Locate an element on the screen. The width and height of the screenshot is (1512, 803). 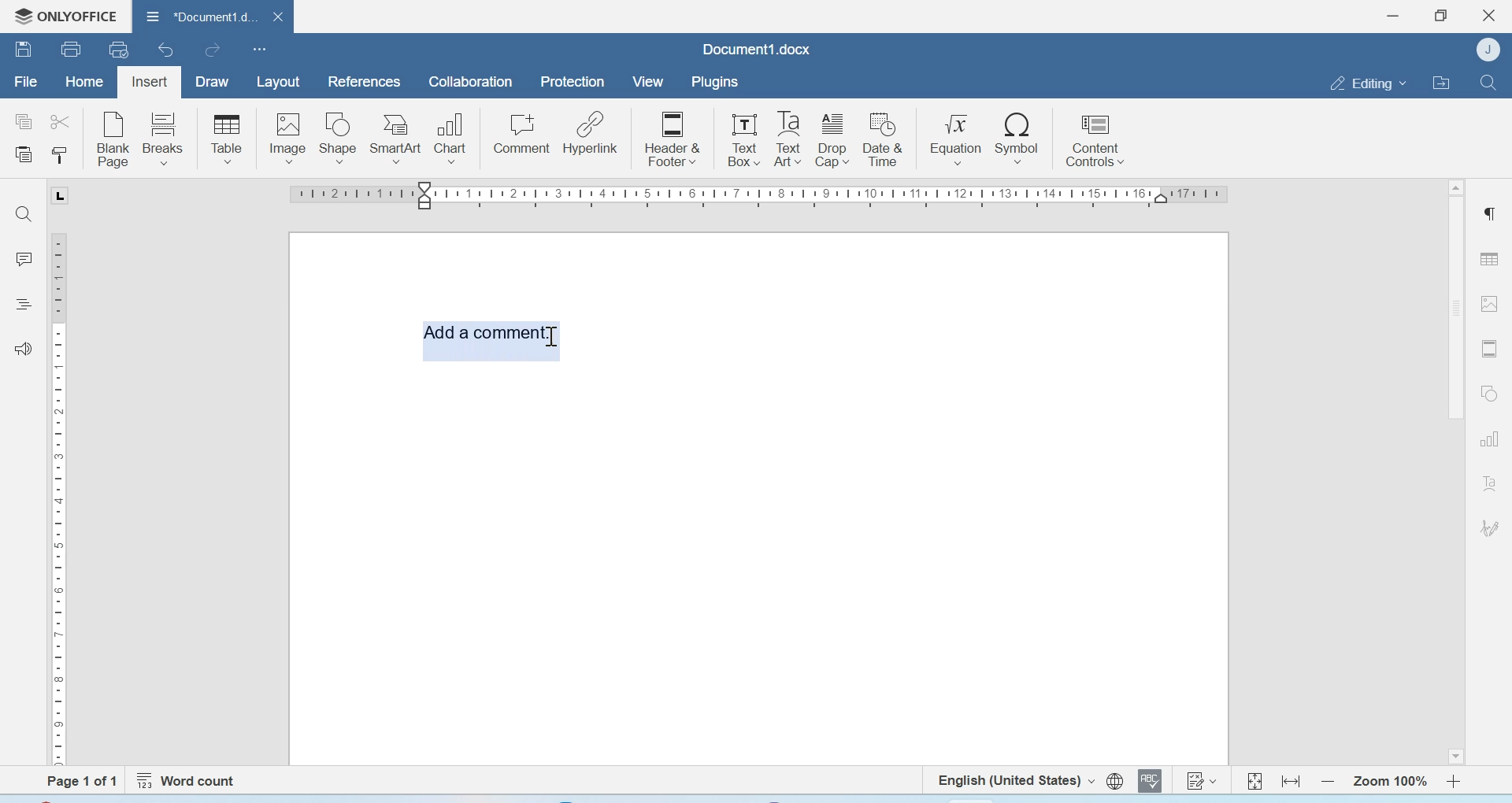
SmartArt is located at coordinates (396, 139).